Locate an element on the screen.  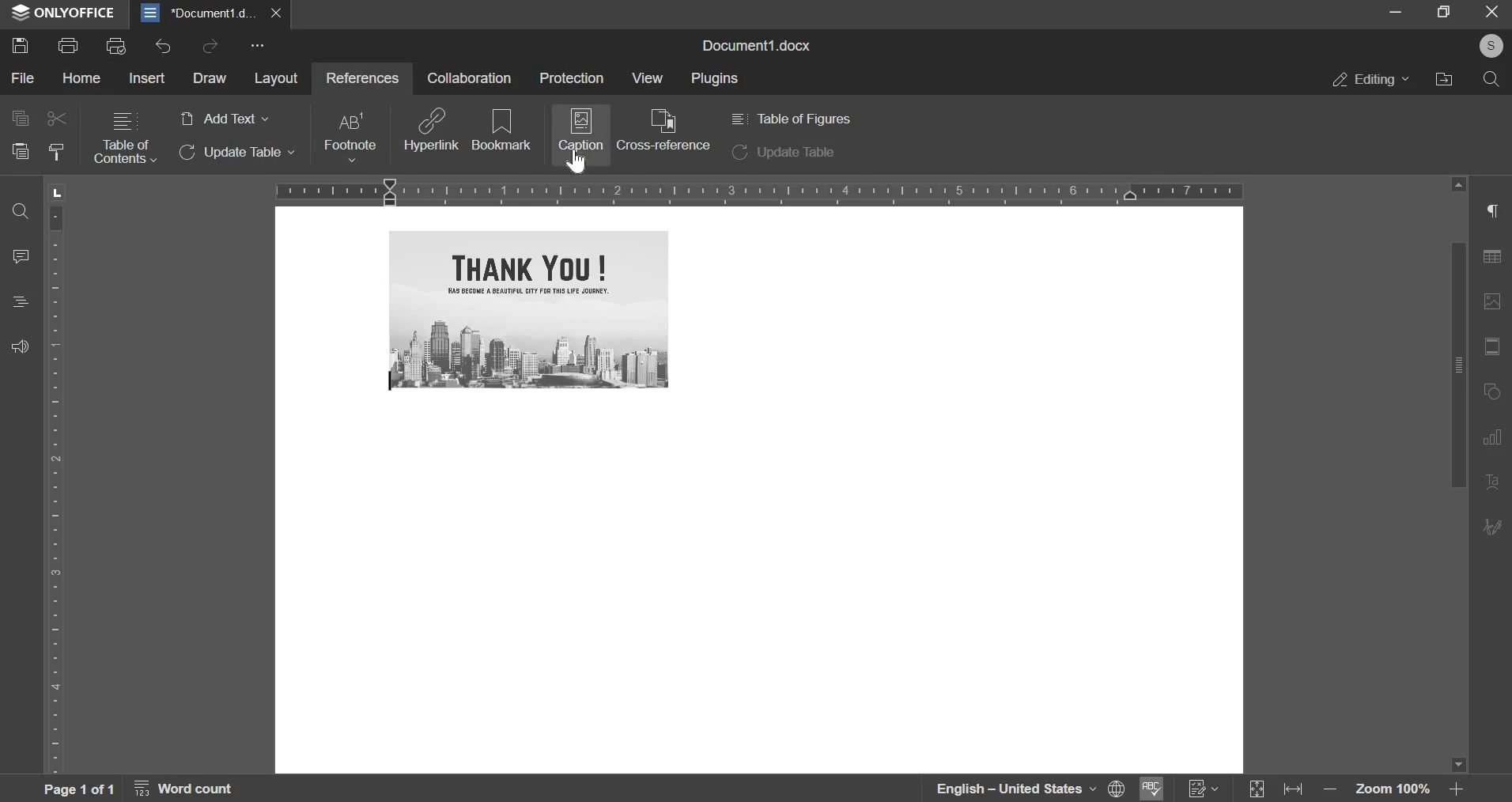
table of figures is located at coordinates (789, 119).